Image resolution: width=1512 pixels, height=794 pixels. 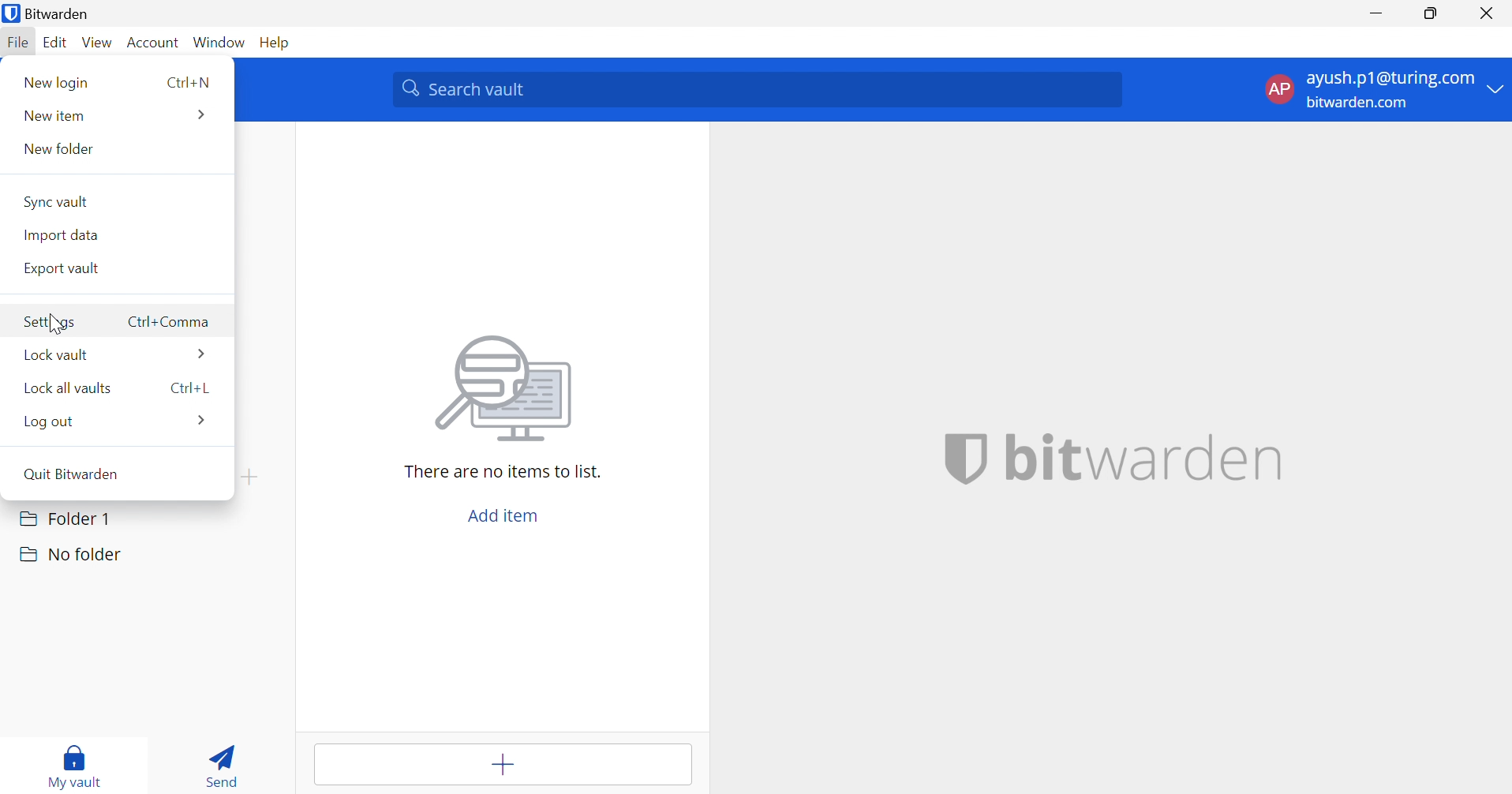 I want to click on Ctrl+N, so click(x=189, y=84).